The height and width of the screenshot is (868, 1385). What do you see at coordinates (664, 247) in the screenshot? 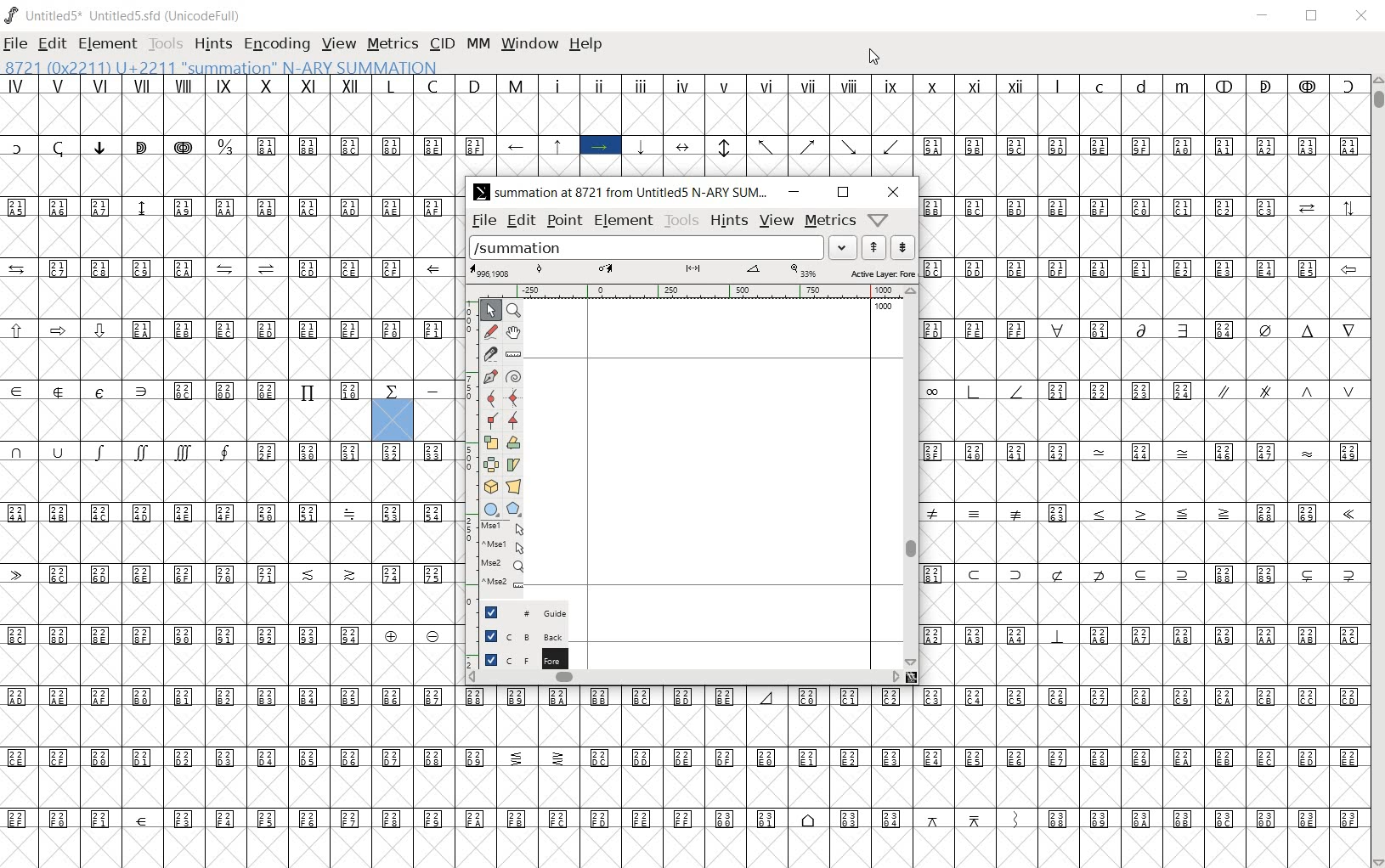
I see `load word list` at bounding box center [664, 247].